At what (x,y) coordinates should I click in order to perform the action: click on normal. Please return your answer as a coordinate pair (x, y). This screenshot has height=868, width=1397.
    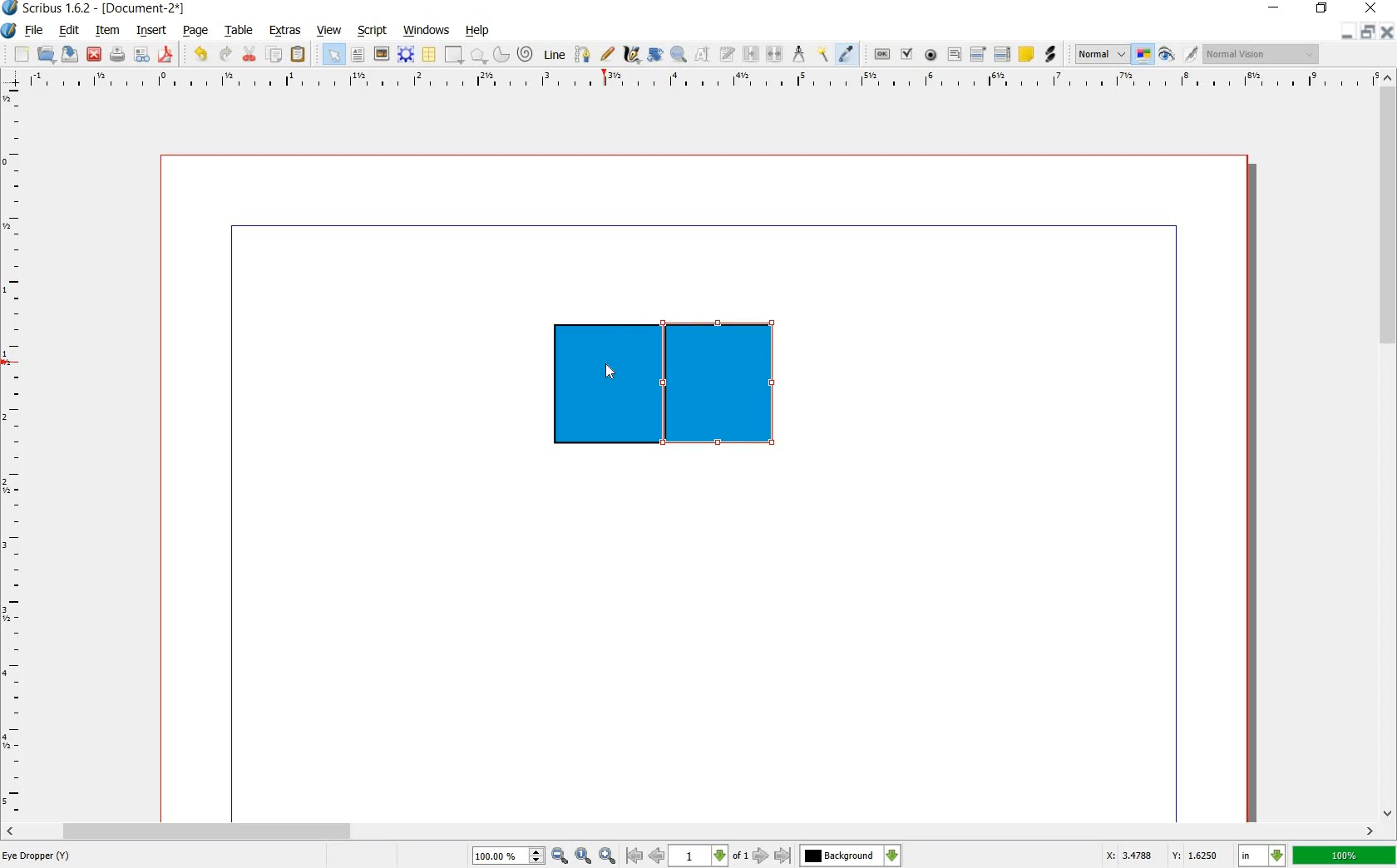
    Looking at the image, I should click on (1102, 54).